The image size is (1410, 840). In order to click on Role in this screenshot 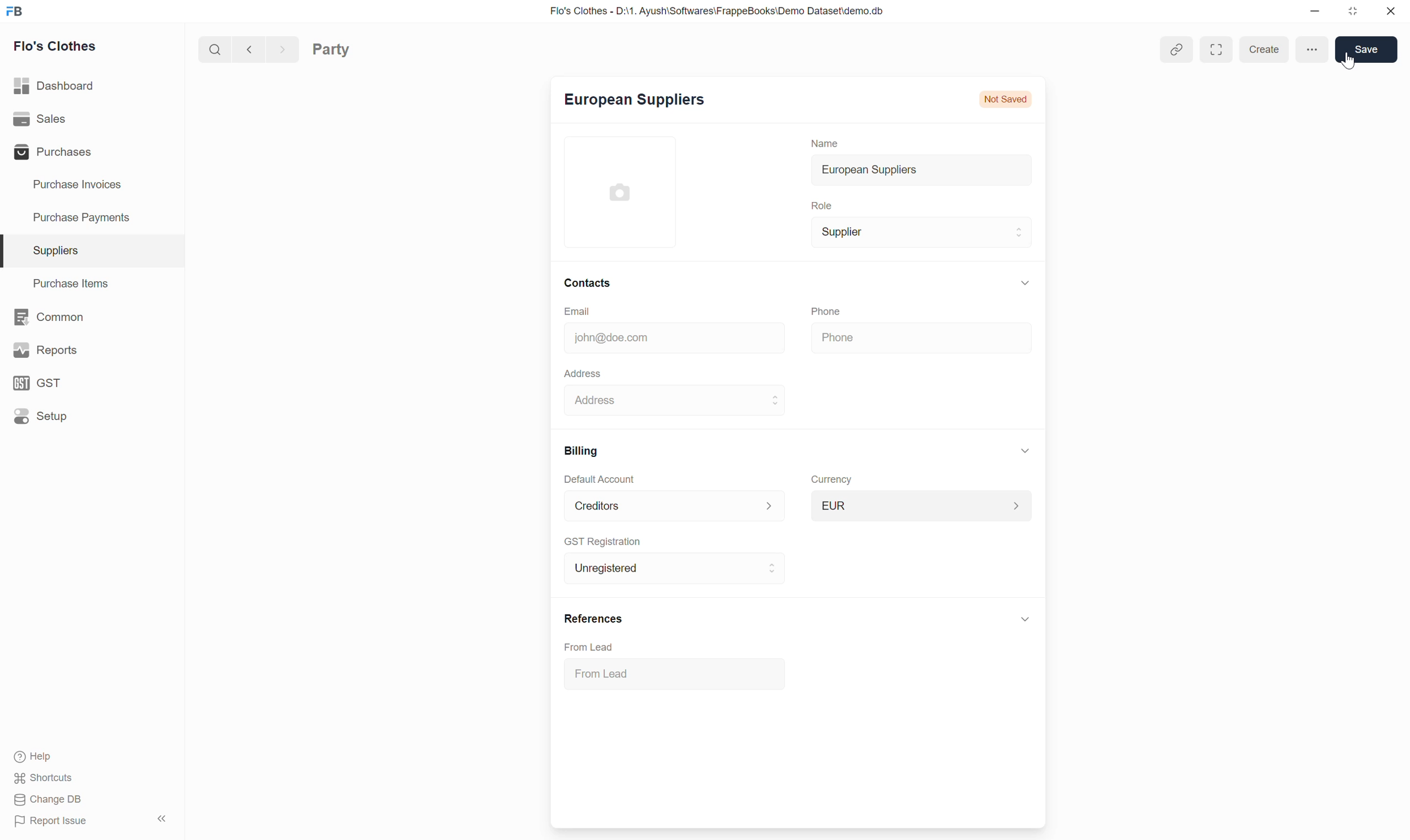, I will do `click(817, 204)`.